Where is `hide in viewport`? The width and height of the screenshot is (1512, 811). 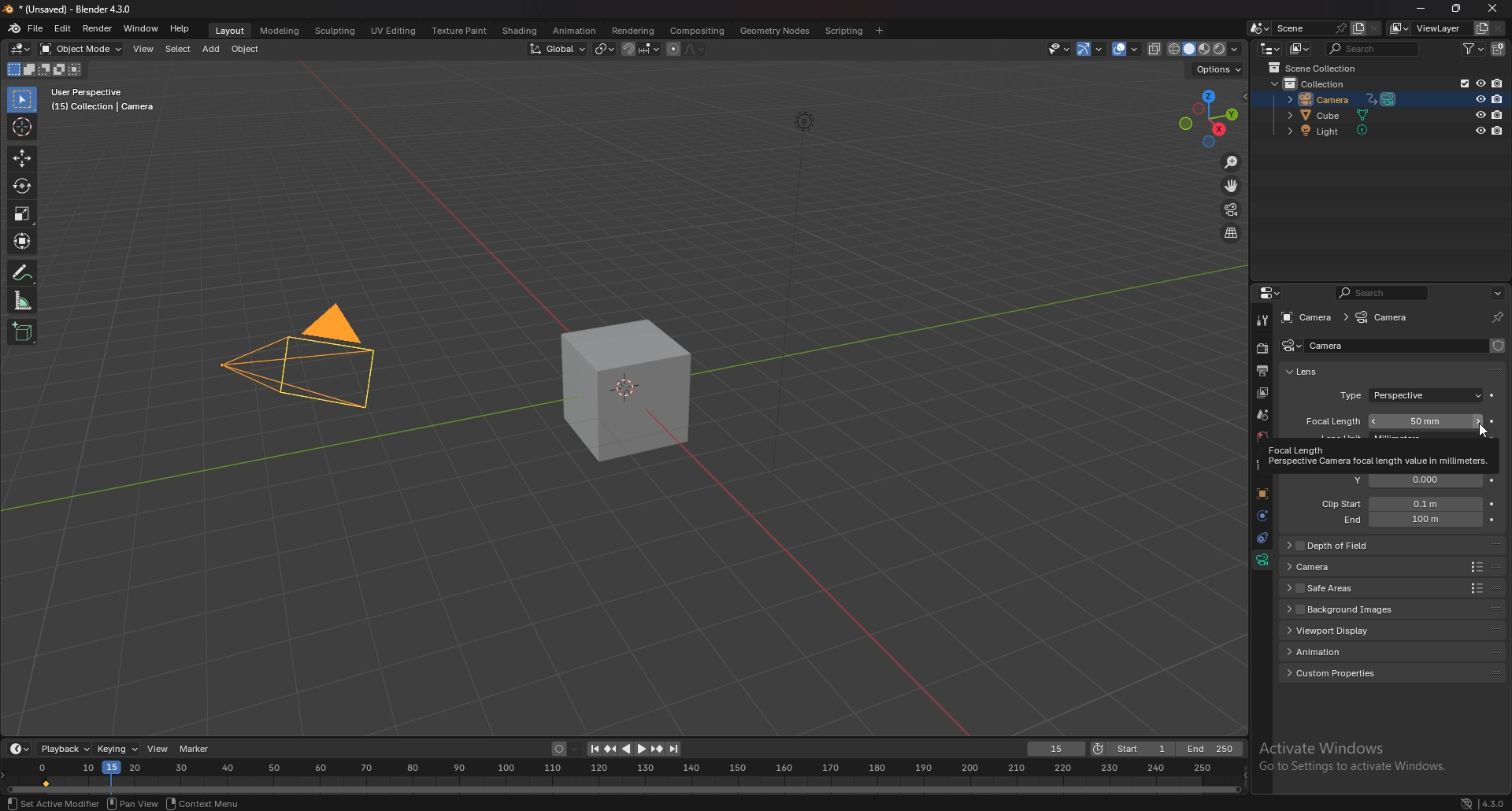
hide in viewport is located at coordinates (1479, 83).